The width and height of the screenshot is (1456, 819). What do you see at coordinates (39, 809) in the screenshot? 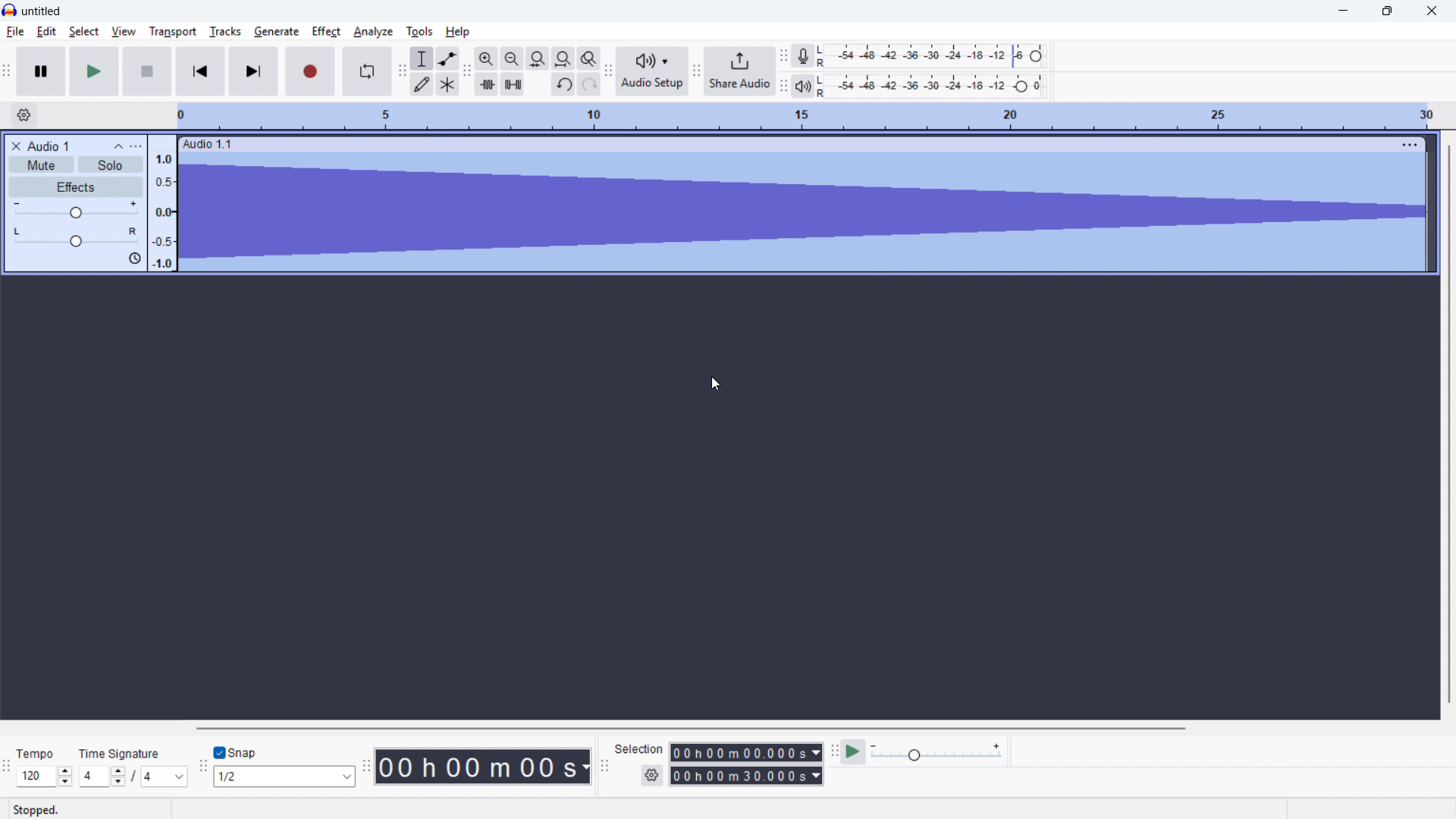
I see `Status: stopped` at bounding box center [39, 809].